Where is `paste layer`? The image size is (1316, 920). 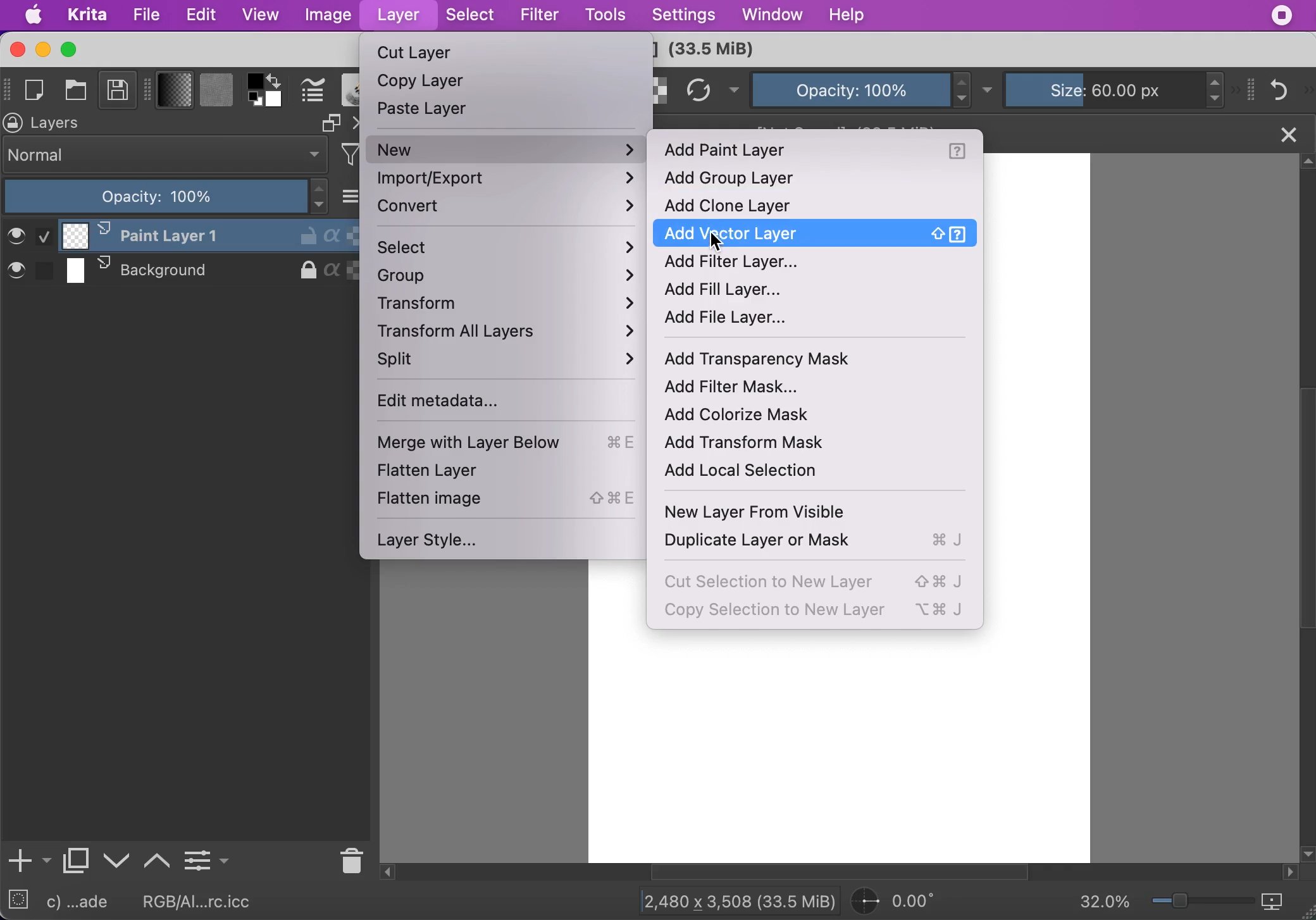 paste layer is located at coordinates (426, 112).